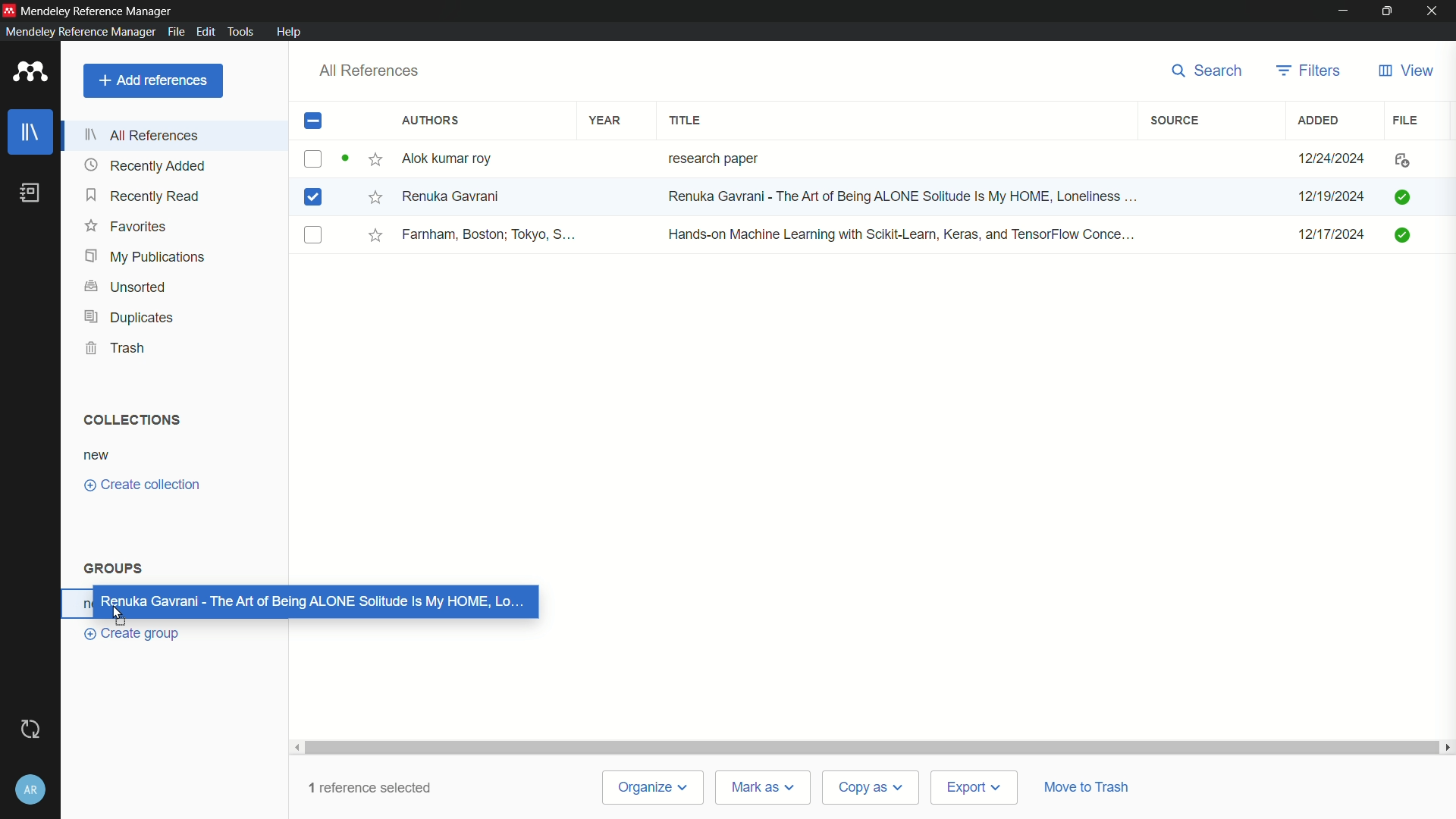  Describe the element at coordinates (143, 485) in the screenshot. I see `create collection` at that location.